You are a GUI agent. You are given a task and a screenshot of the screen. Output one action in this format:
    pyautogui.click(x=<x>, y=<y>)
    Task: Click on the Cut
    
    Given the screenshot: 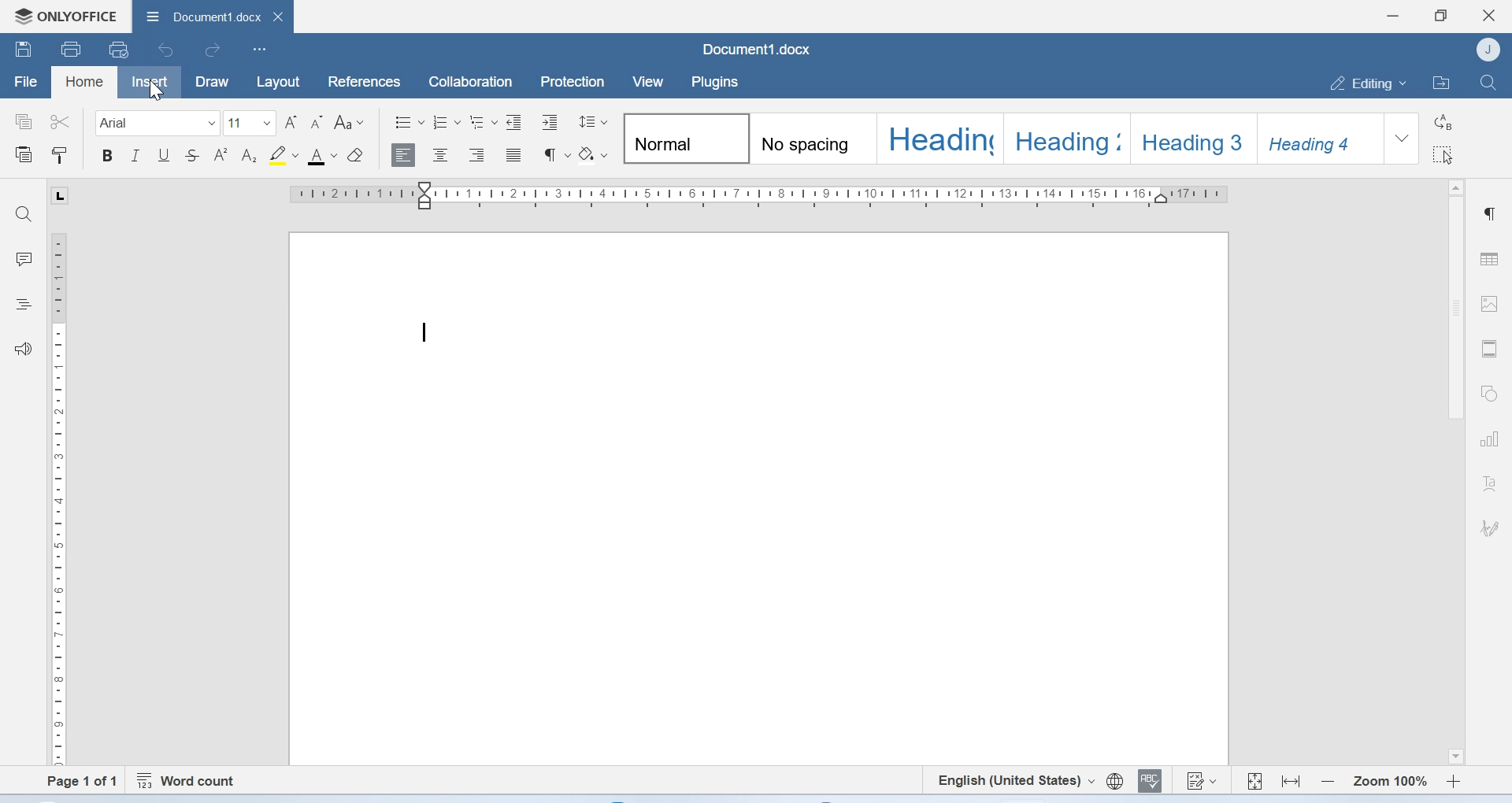 What is the action you would take?
    pyautogui.click(x=61, y=120)
    